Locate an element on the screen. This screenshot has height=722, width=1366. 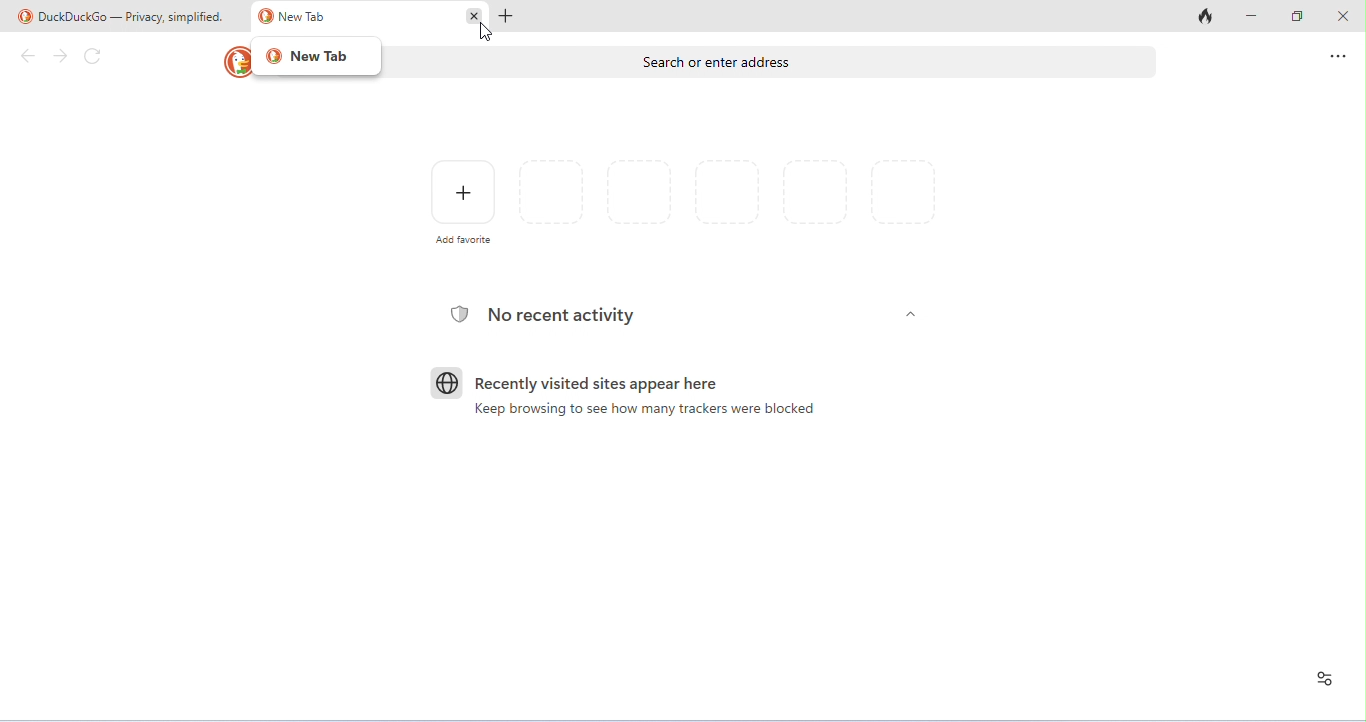
duckdukgo privacy simplified is located at coordinates (127, 16).